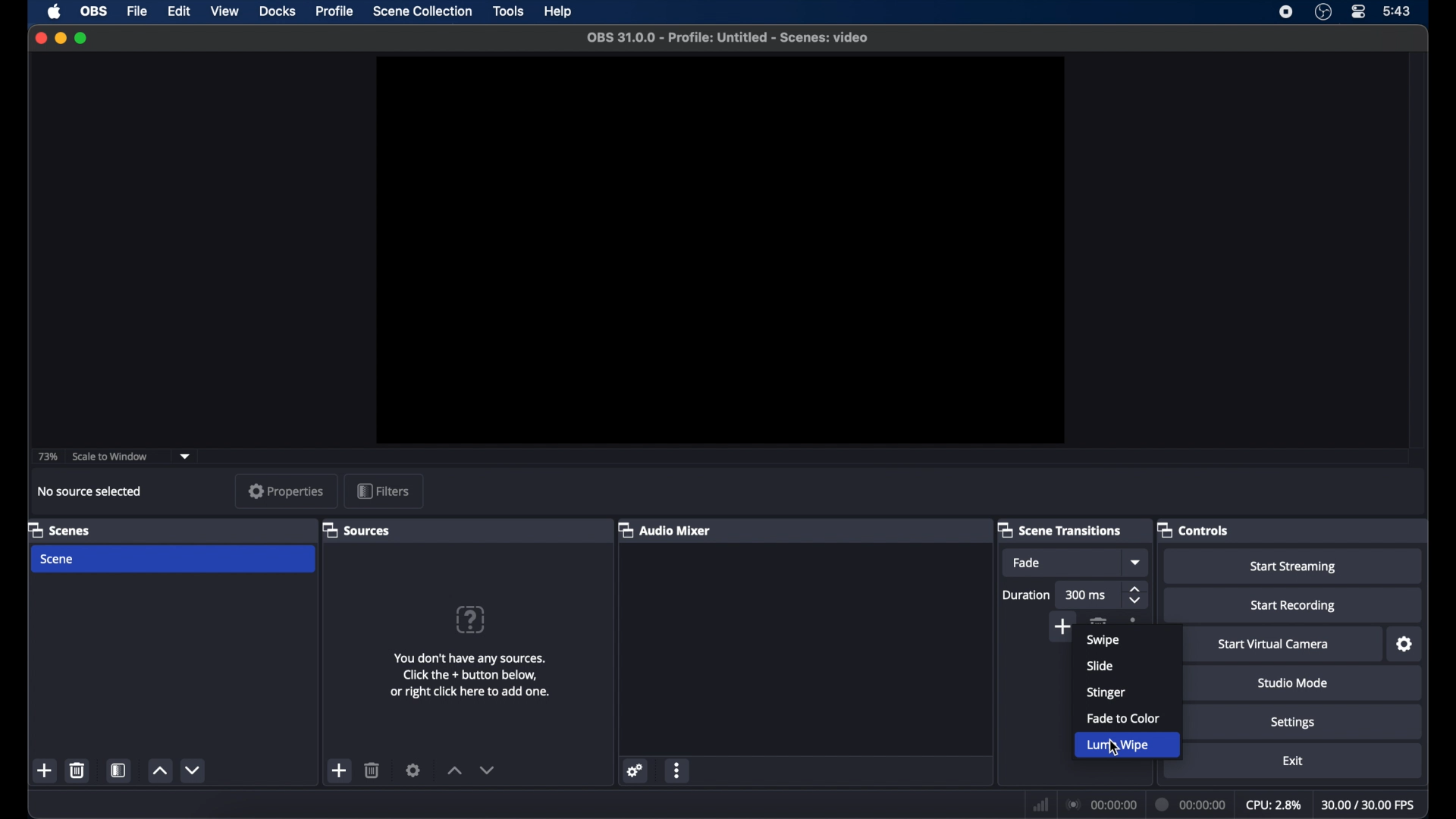 The height and width of the screenshot is (819, 1456). I want to click on audio mixer, so click(665, 529).